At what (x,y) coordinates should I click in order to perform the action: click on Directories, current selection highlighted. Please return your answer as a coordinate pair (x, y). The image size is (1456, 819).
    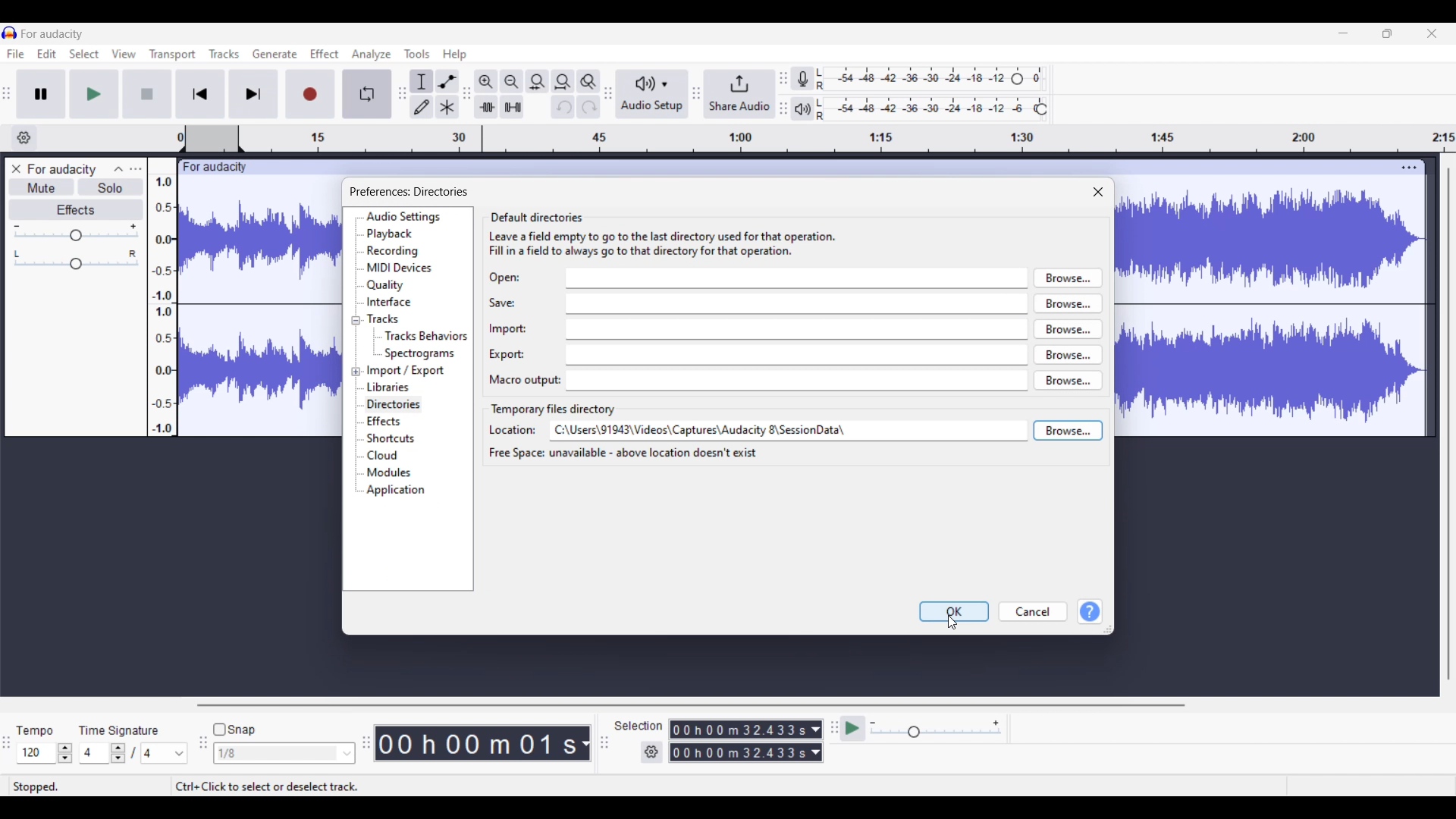
    Looking at the image, I should click on (394, 405).